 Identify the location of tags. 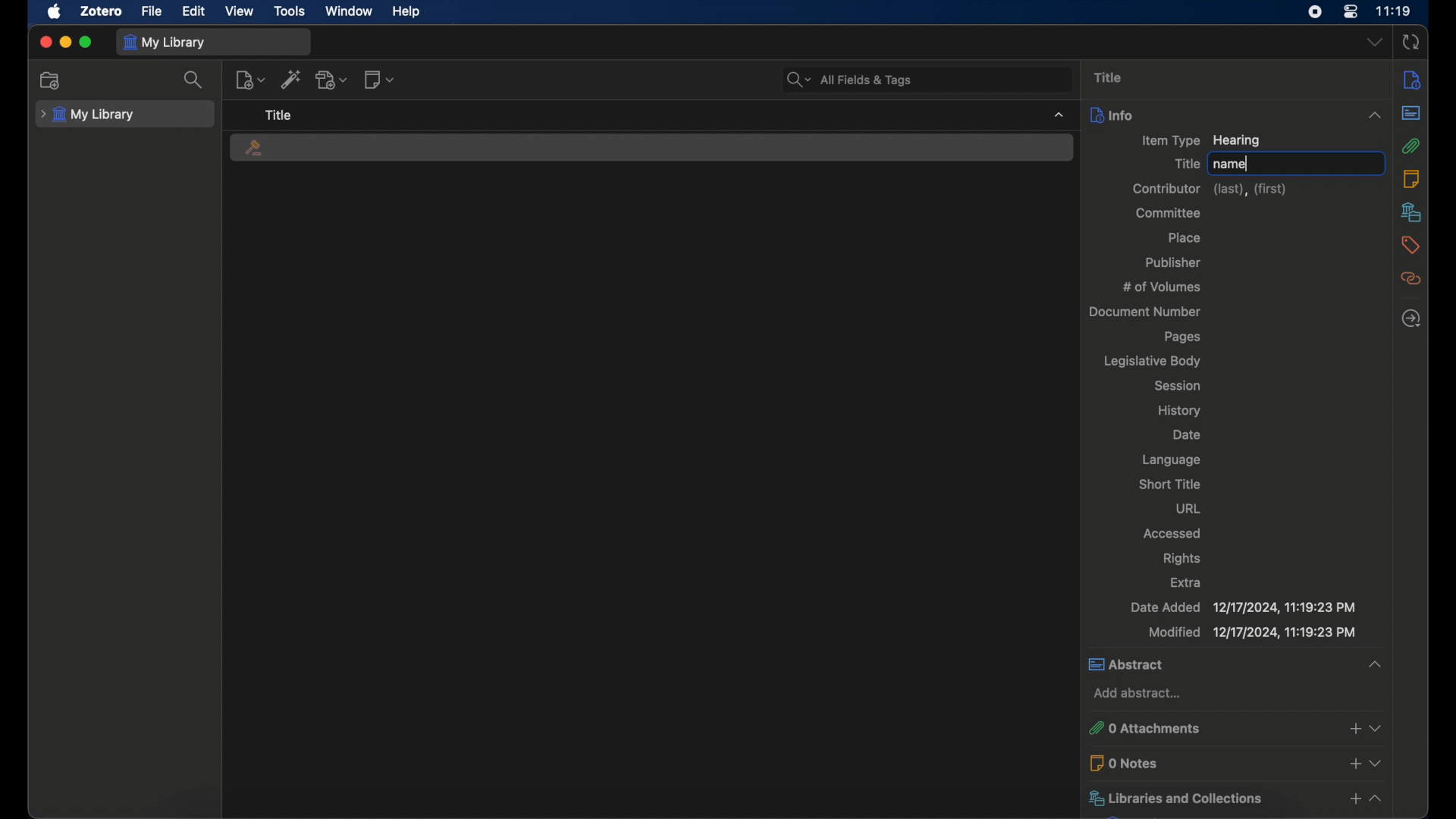
(1409, 245).